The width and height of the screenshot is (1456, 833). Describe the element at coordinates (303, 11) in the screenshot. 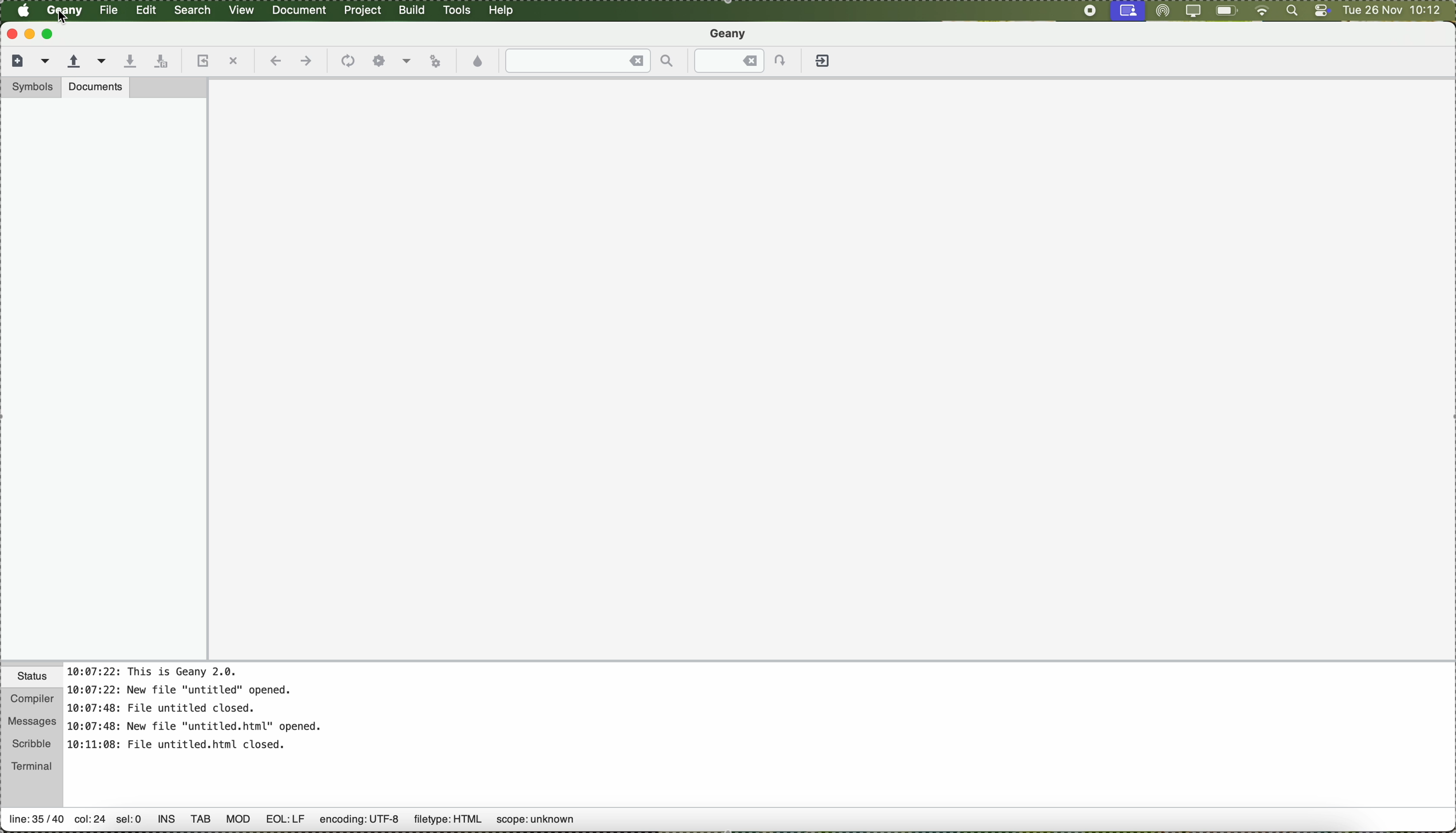

I see `document` at that location.